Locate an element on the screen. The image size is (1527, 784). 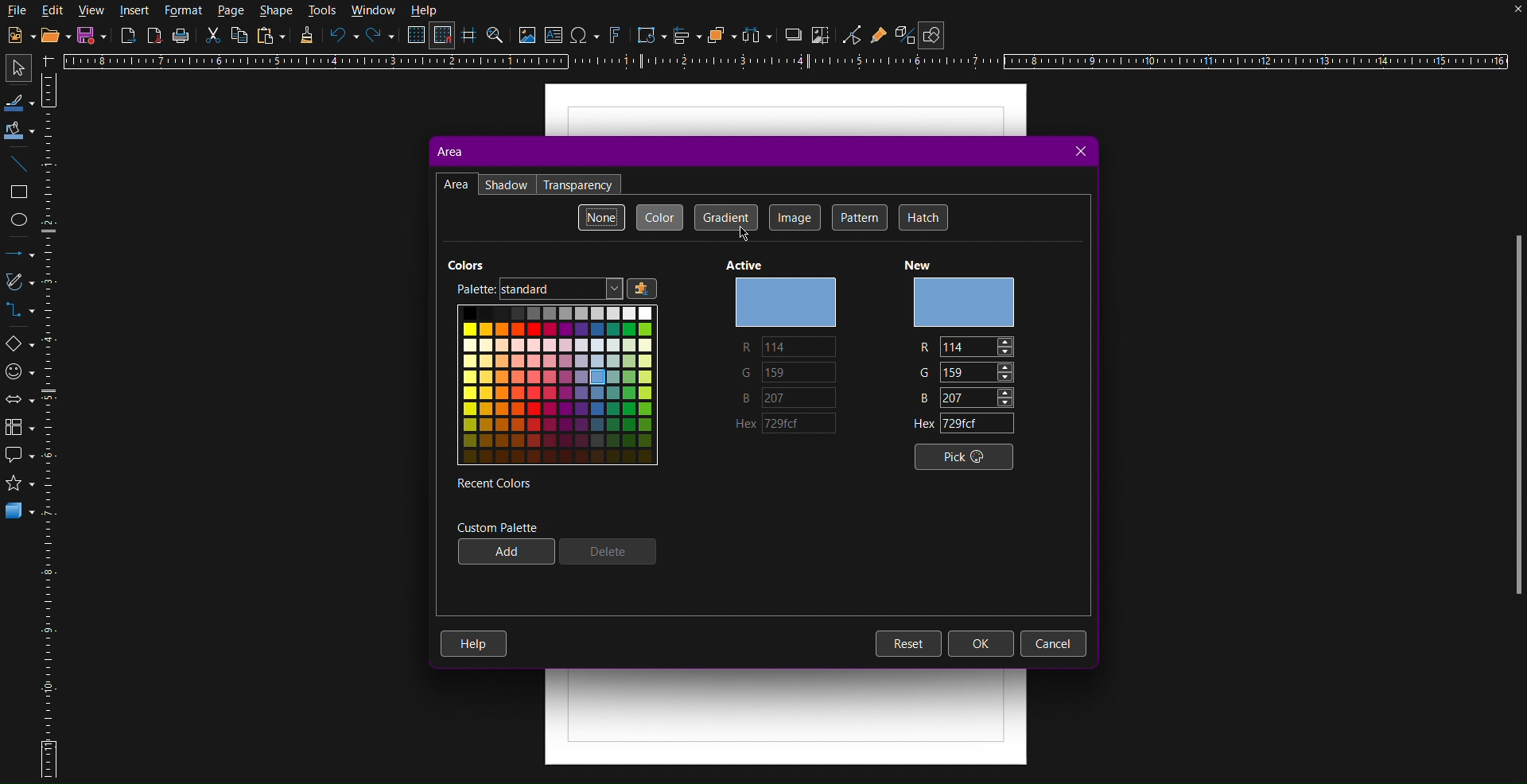
Custom Palette is located at coordinates (496, 526).